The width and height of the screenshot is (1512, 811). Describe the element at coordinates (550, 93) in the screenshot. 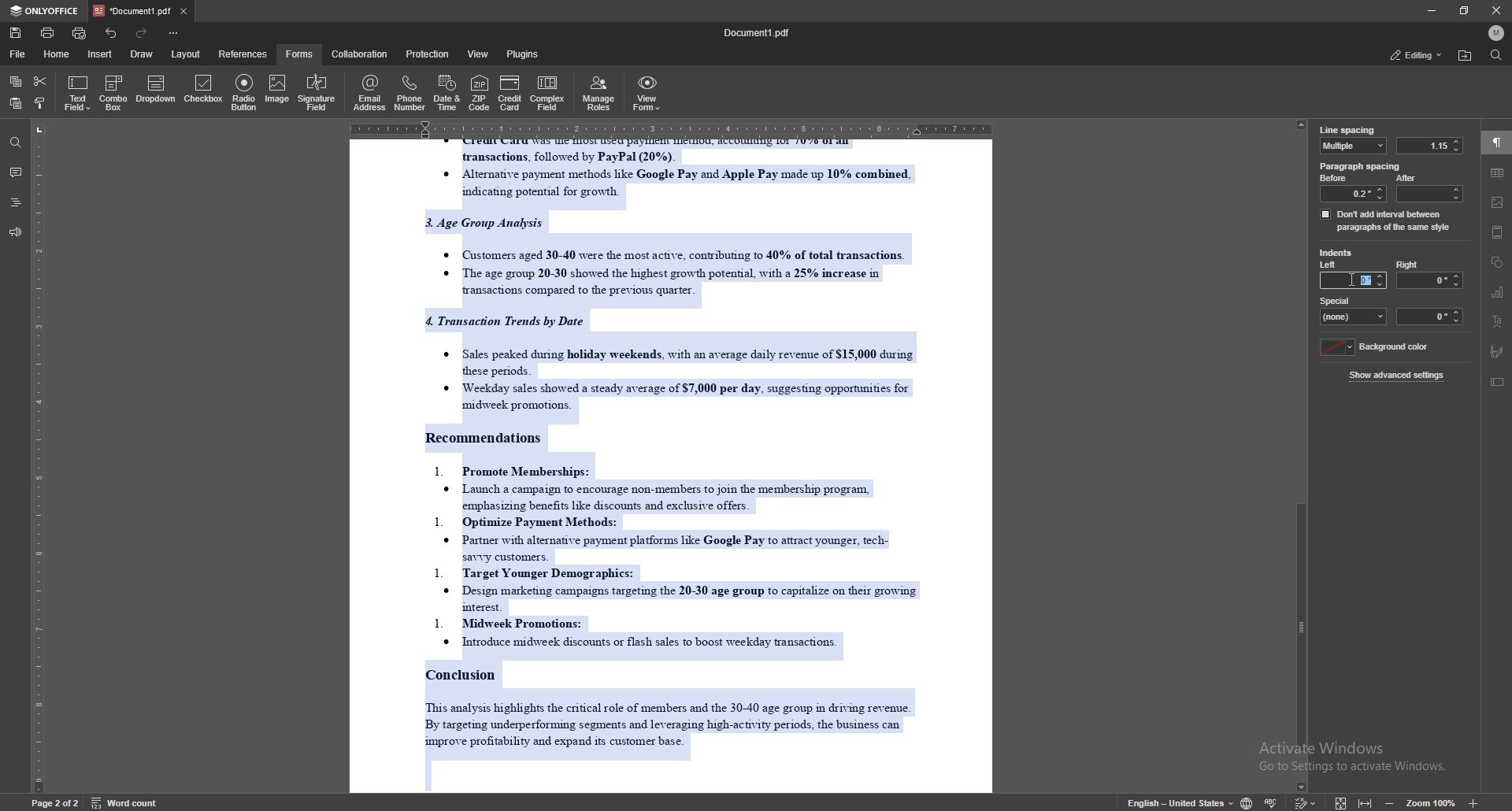

I see `complex field` at that location.